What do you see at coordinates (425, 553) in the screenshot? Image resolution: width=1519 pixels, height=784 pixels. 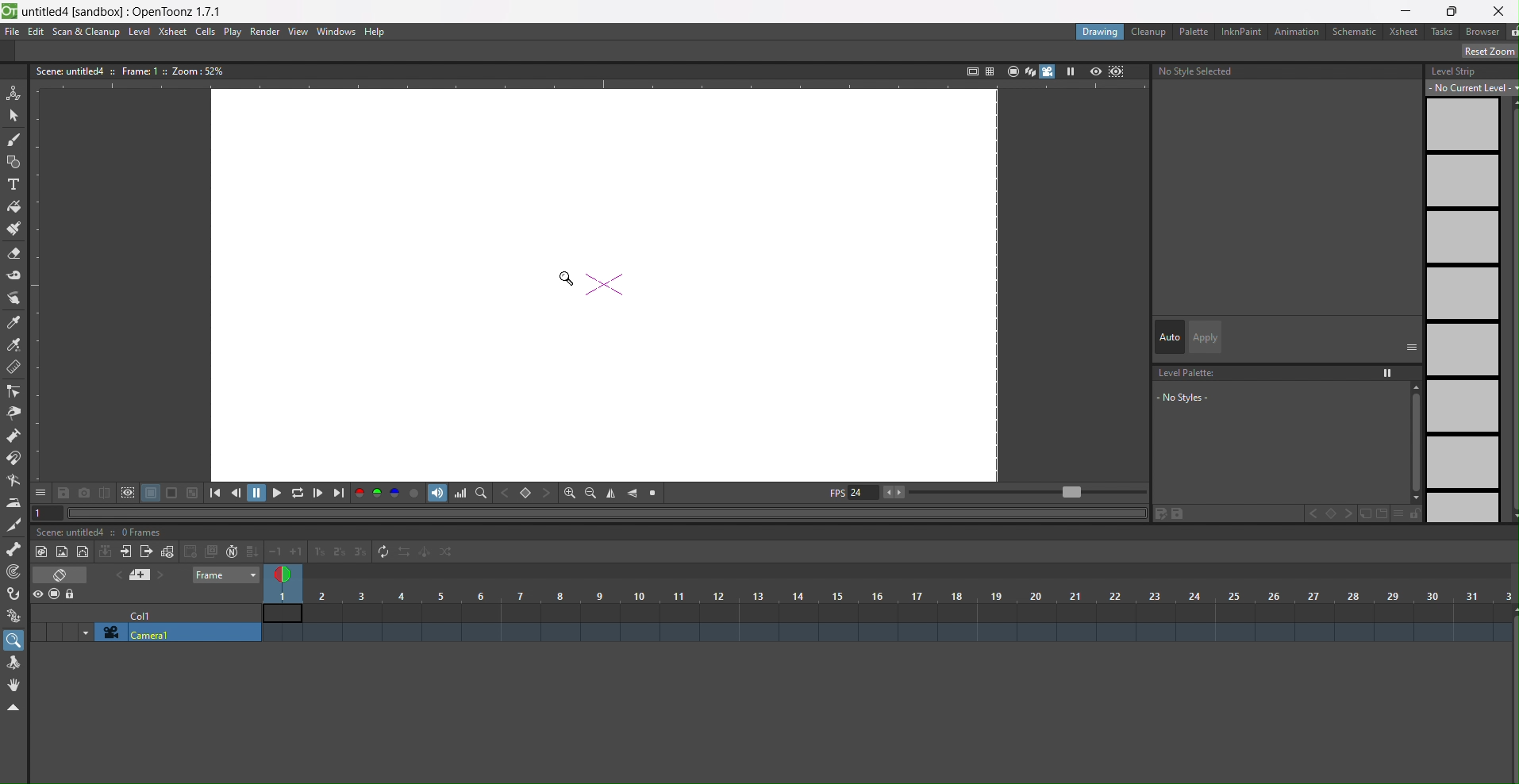 I see `` at bounding box center [425, 553].